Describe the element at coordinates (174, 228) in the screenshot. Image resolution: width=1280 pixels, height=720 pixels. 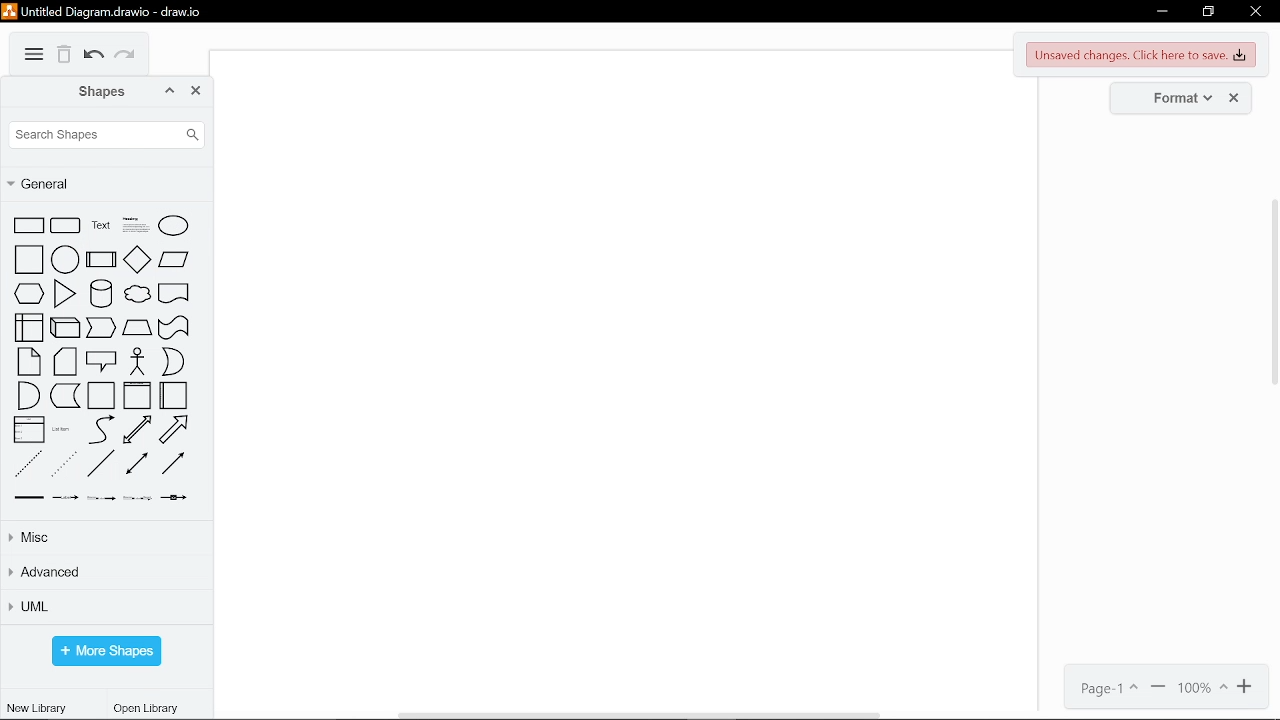
I see `ellipse` at that location.